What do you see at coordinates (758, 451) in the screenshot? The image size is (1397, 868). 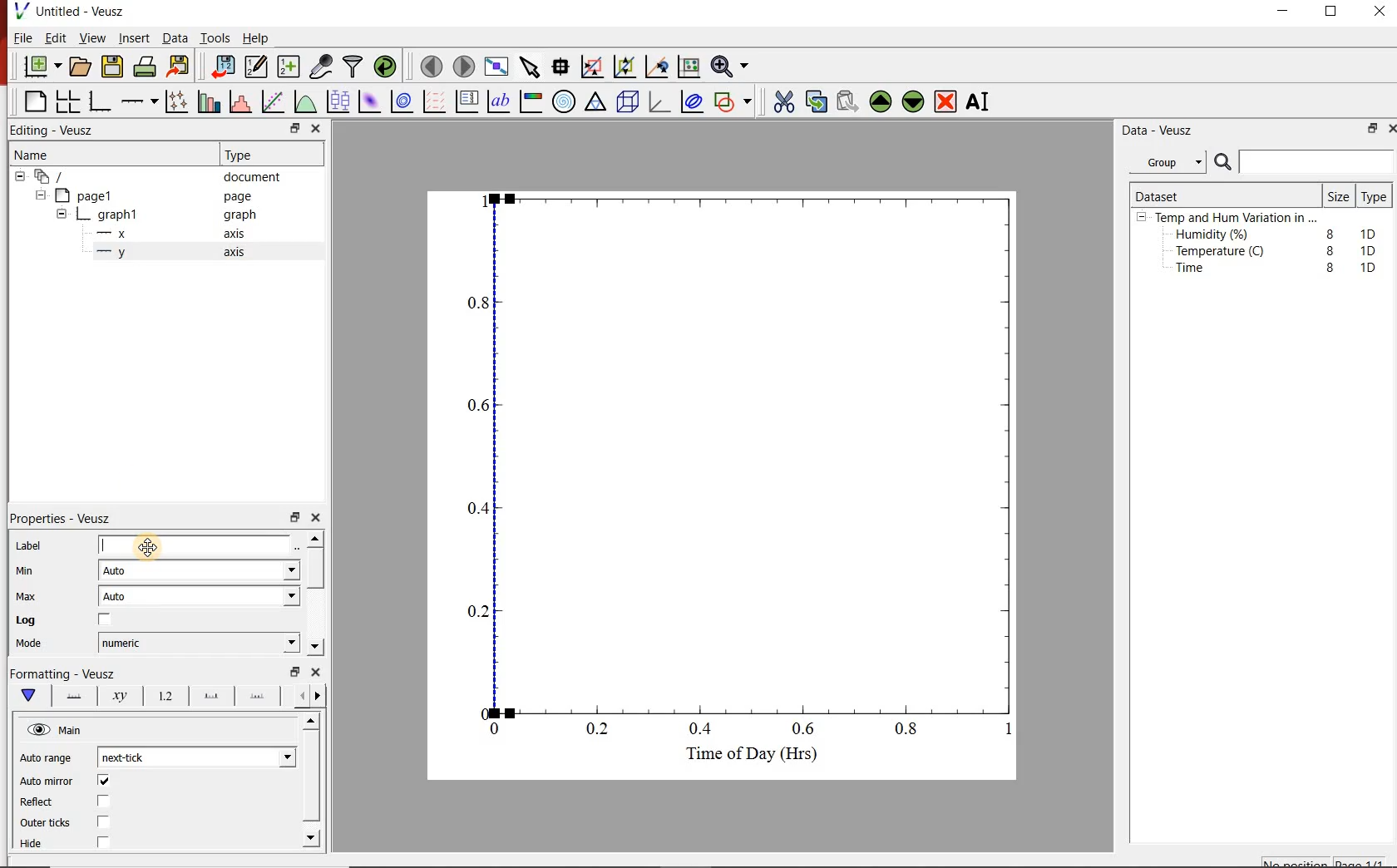 I see `Graph` at bounding box center [758, 451].